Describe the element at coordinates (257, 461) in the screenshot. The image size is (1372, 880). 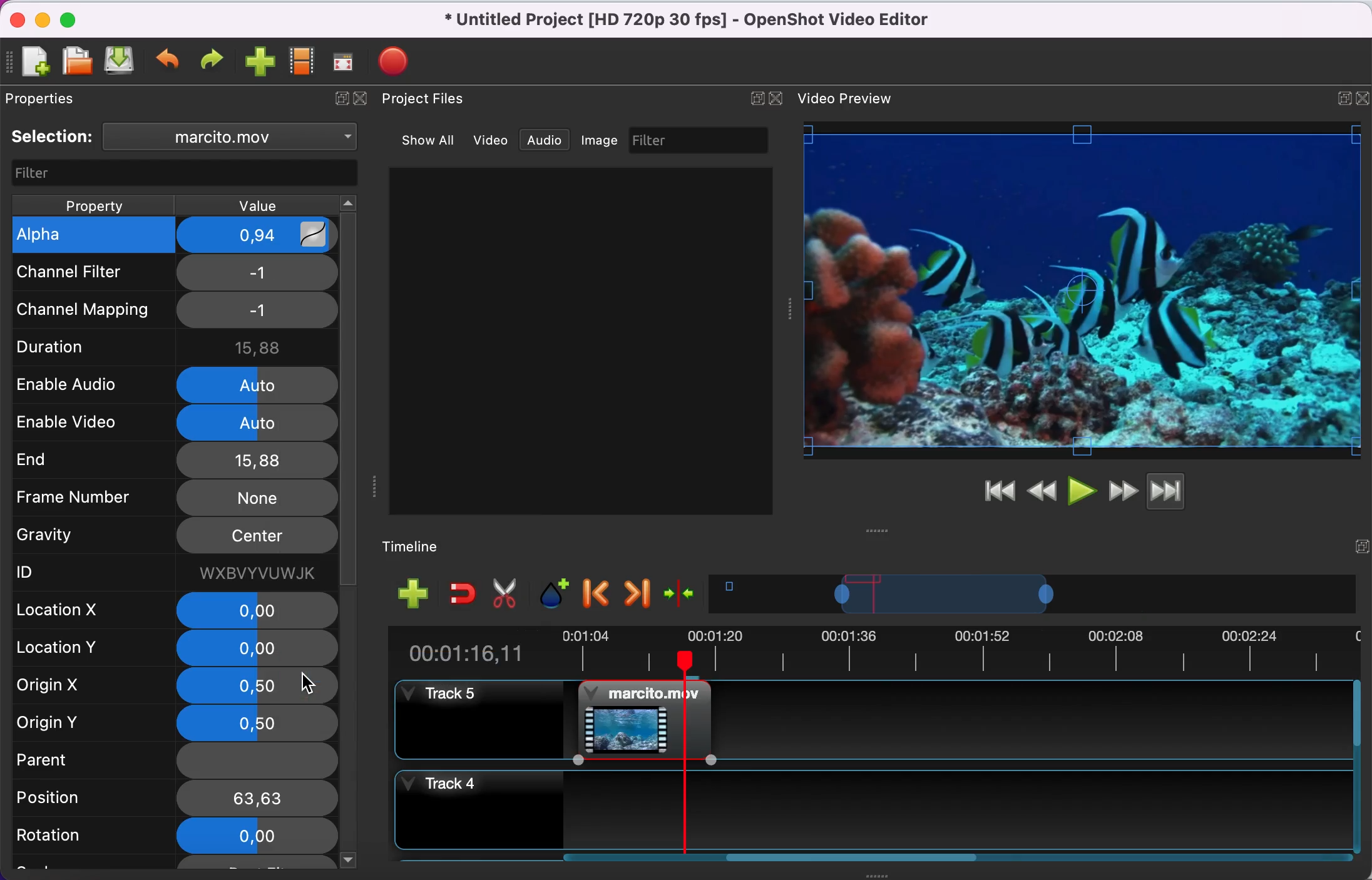
I see `15,88` at that location.